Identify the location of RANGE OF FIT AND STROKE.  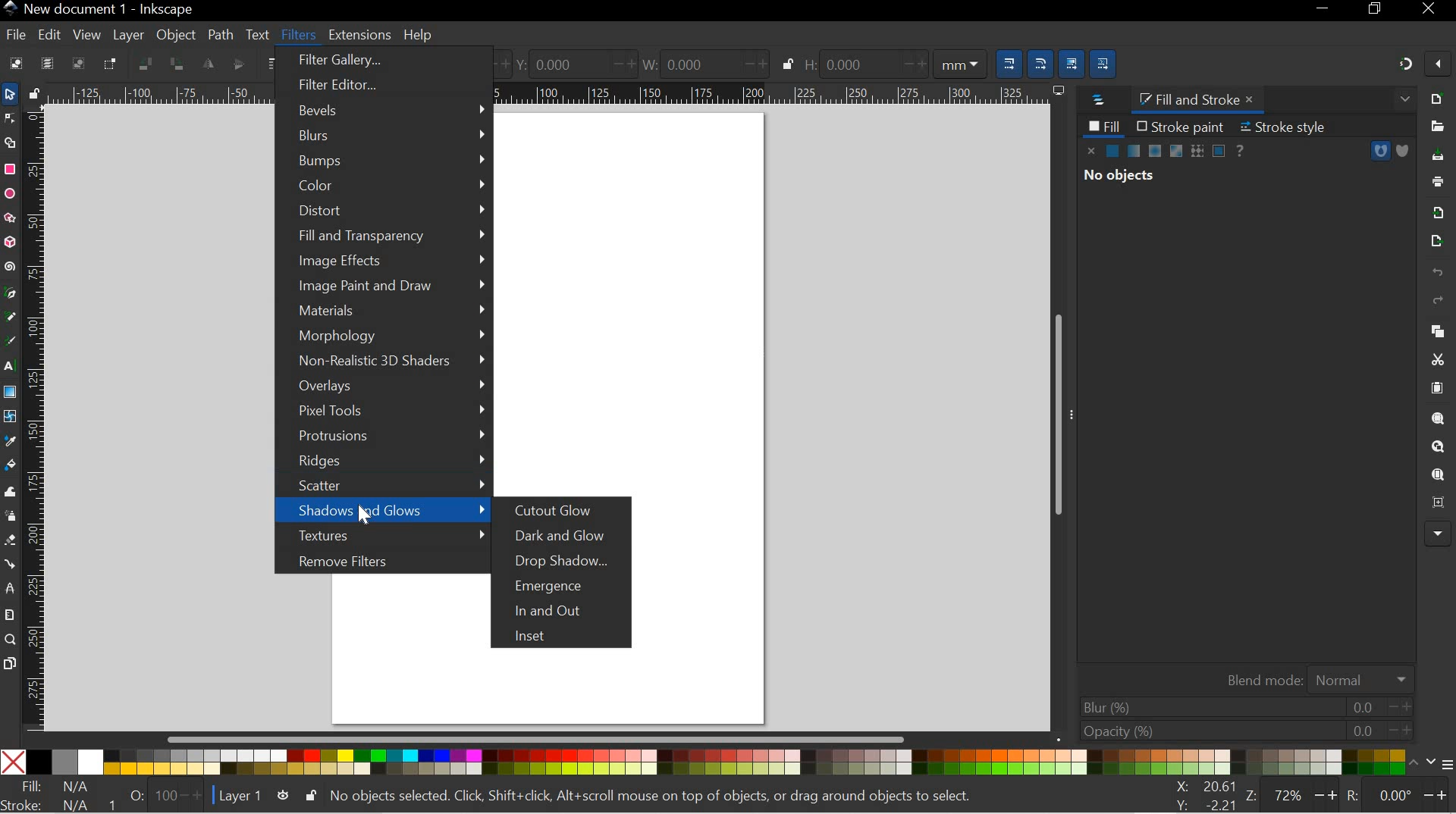
(160, 795).